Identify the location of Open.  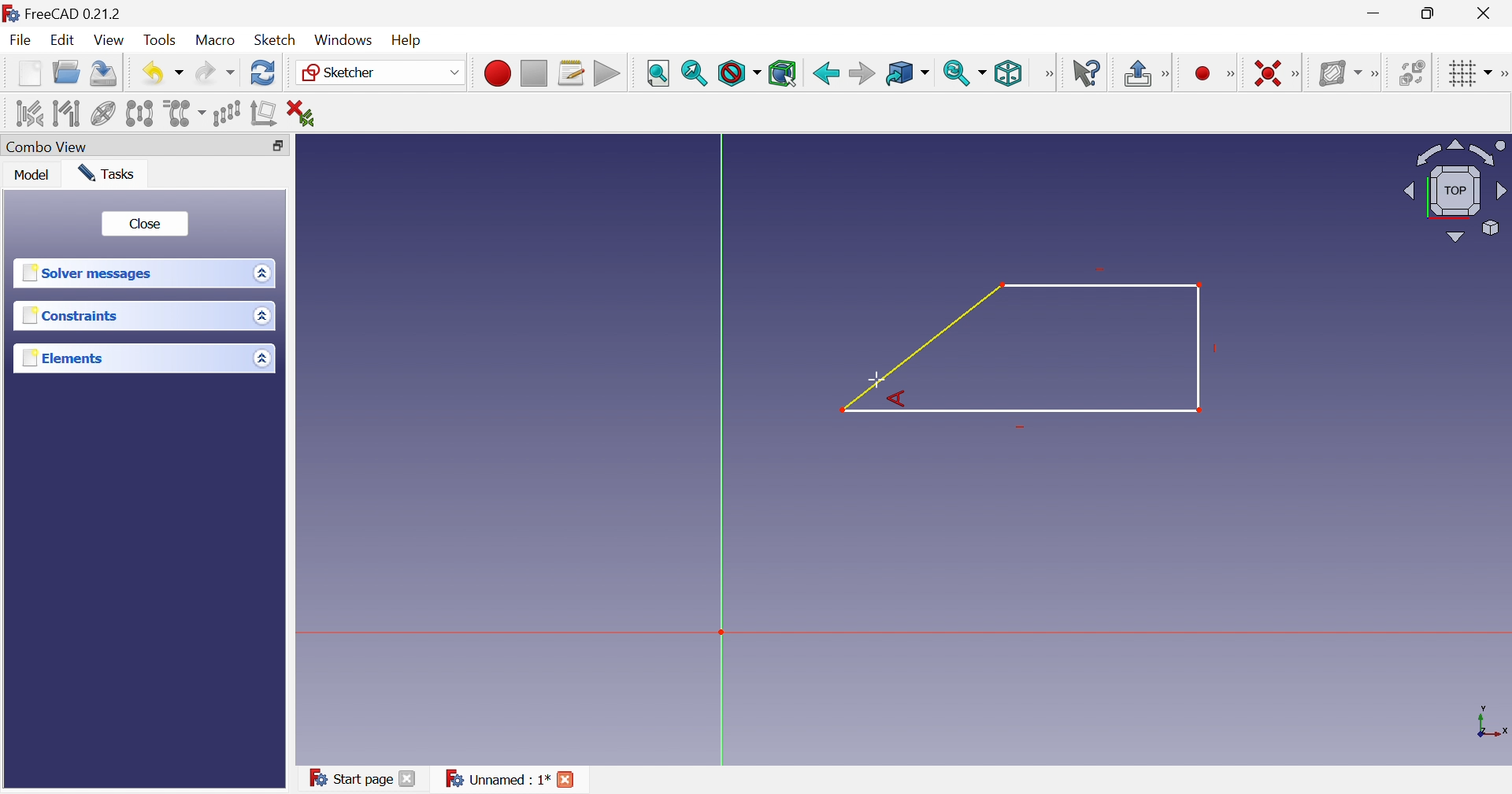
(69, 75).